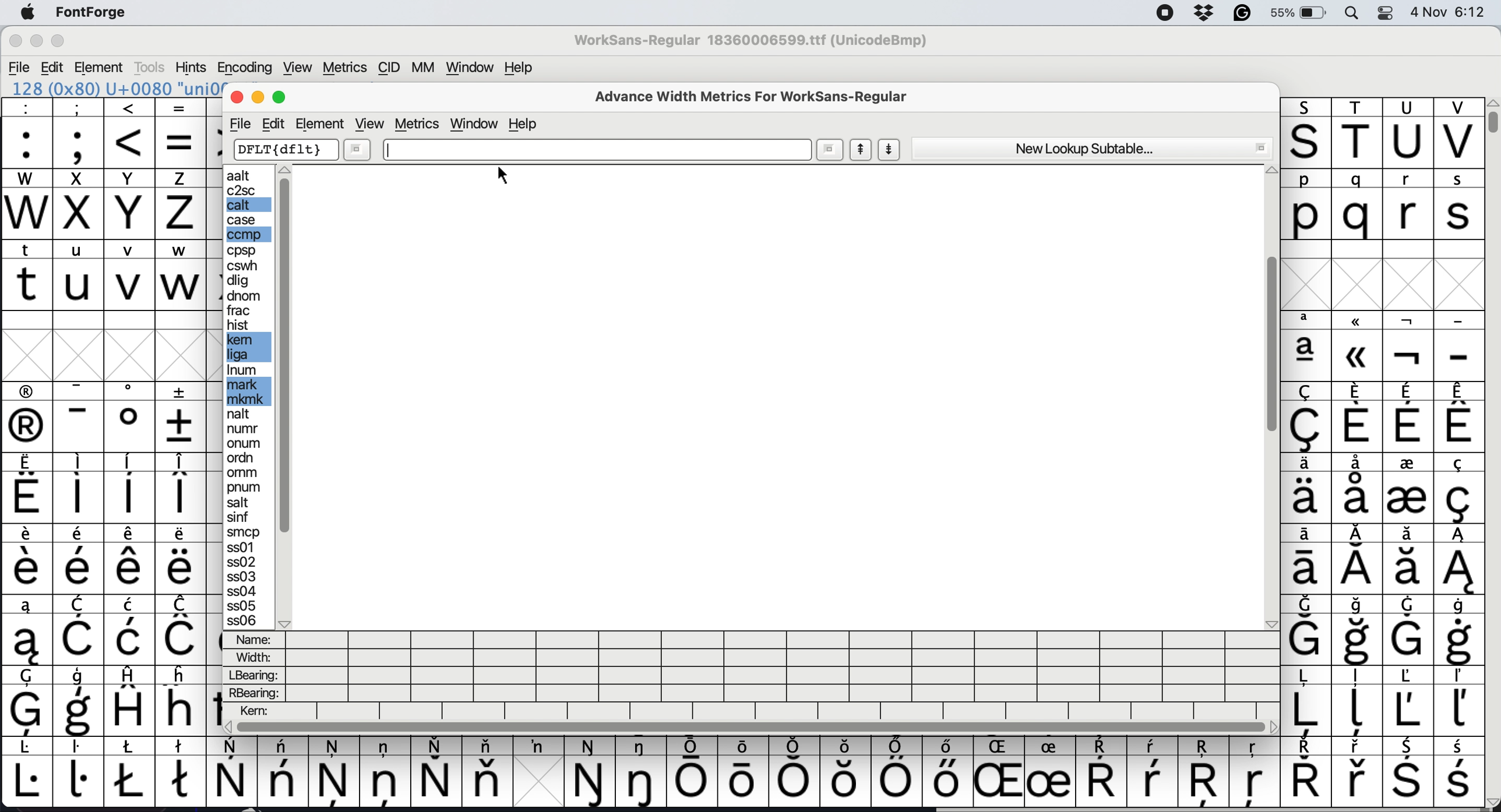 This screenshot has width=1501, height=812. What do you see at coordinates (63, 41) in the screenshot?
I see `Maximize` at bounding box center [63, 41].